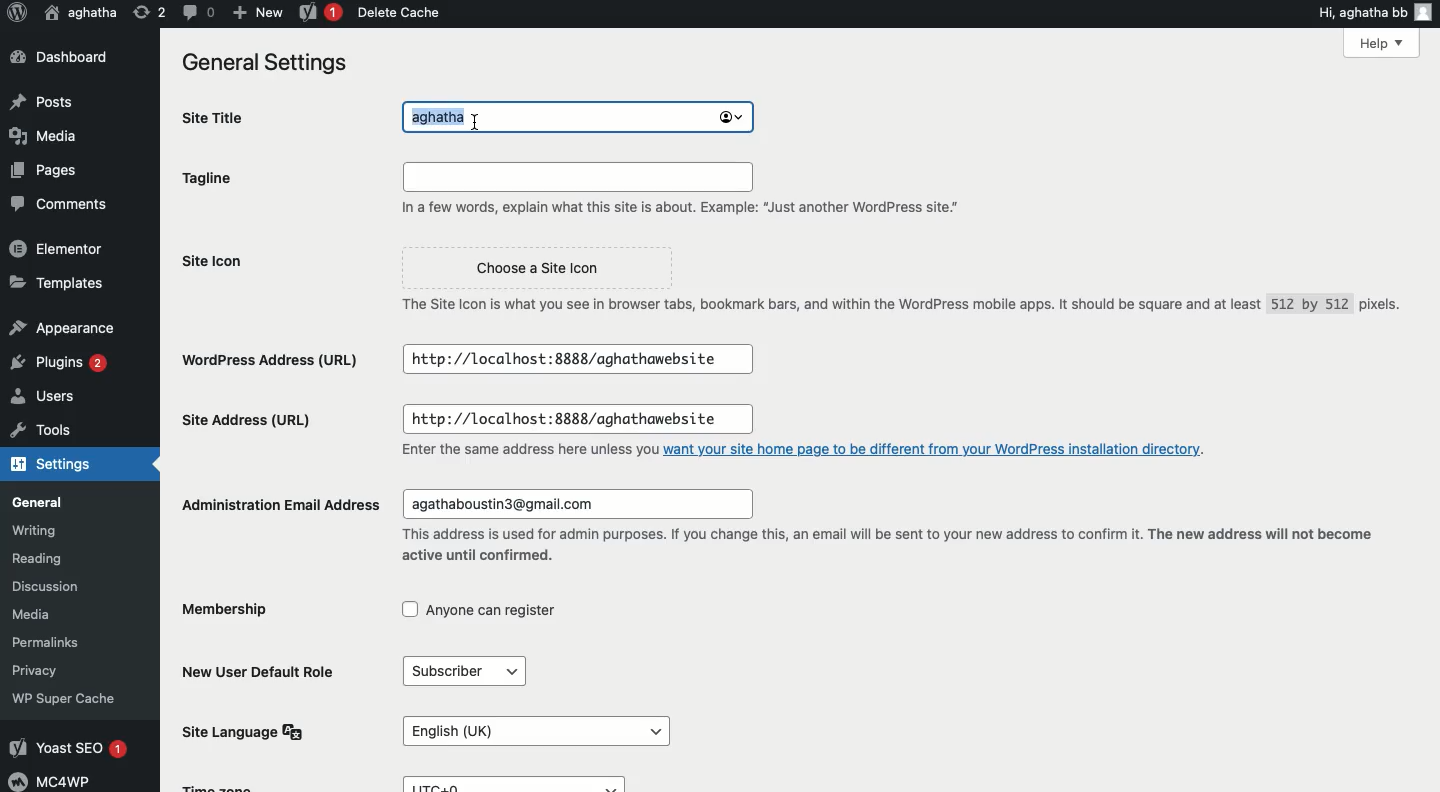 The width and height of the screenshot is (1440, 792). Describe the element at coordinates (41, 429) in the screenshot. I see `Tools` at that location.